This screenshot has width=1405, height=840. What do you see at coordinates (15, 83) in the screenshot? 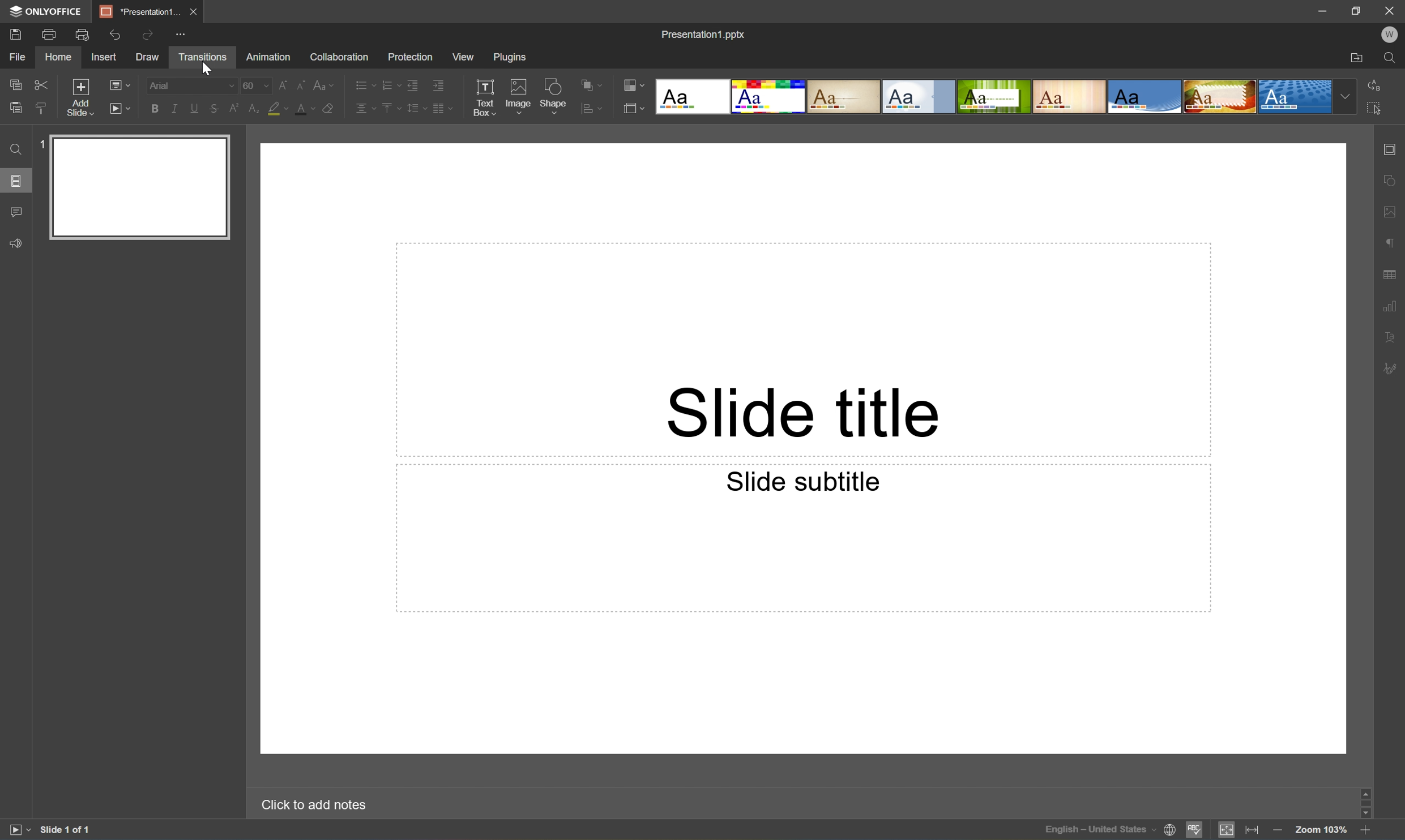
I see `Copy` at bounding box center [15, 83].